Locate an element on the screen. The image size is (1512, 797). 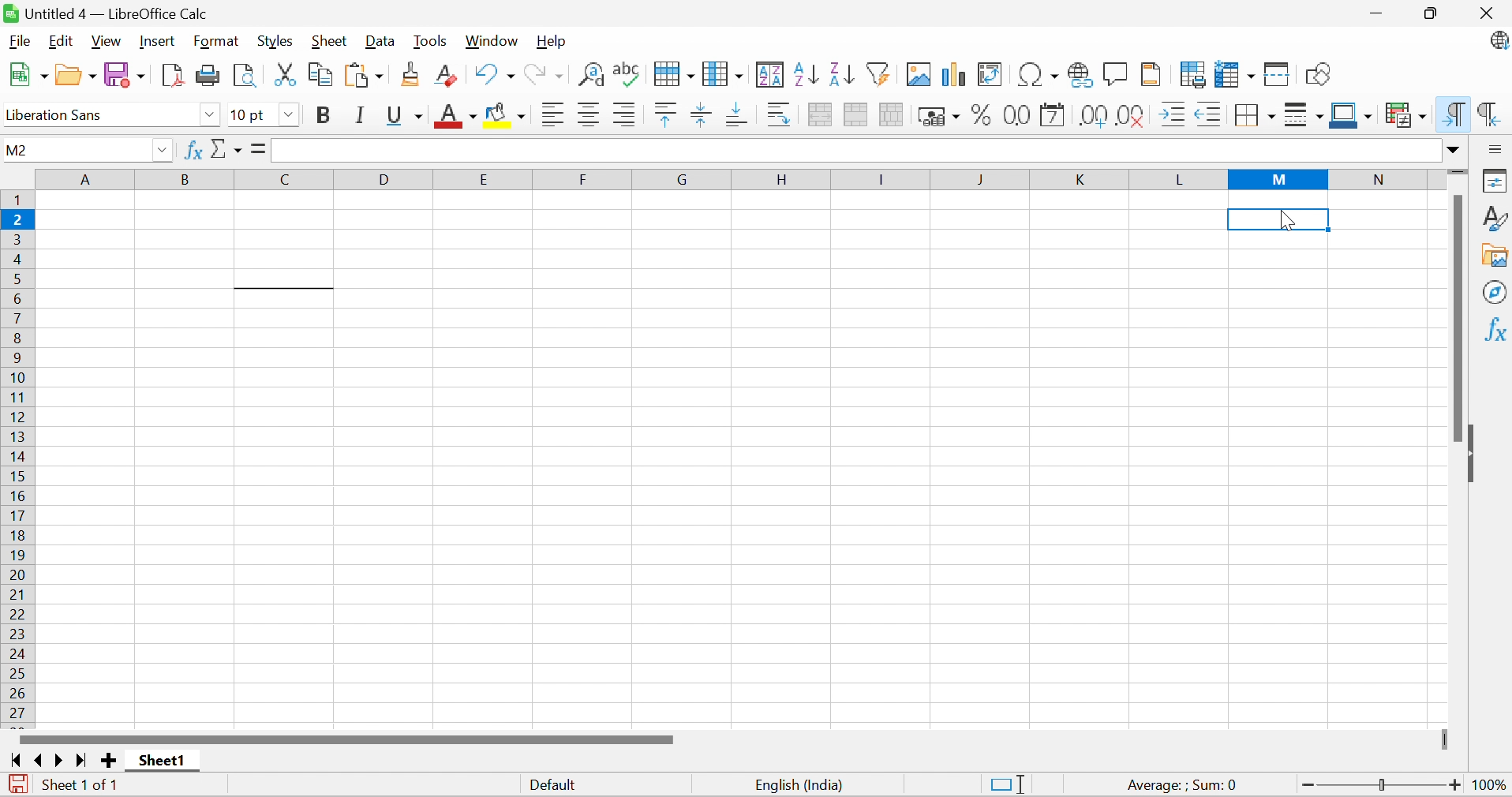
Slider is located at coordinates (1383, 786).